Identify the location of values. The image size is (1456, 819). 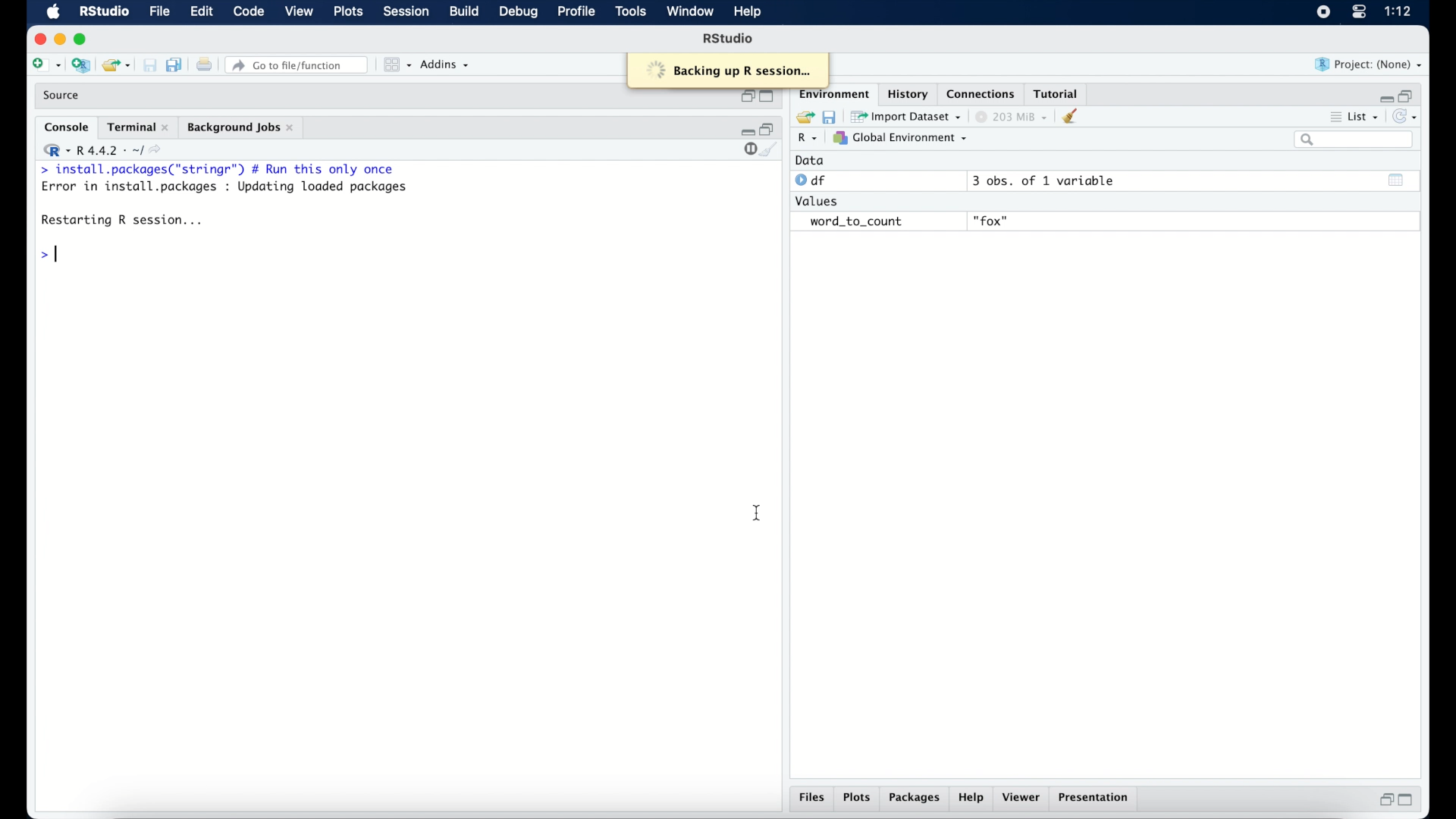
(818, 199).